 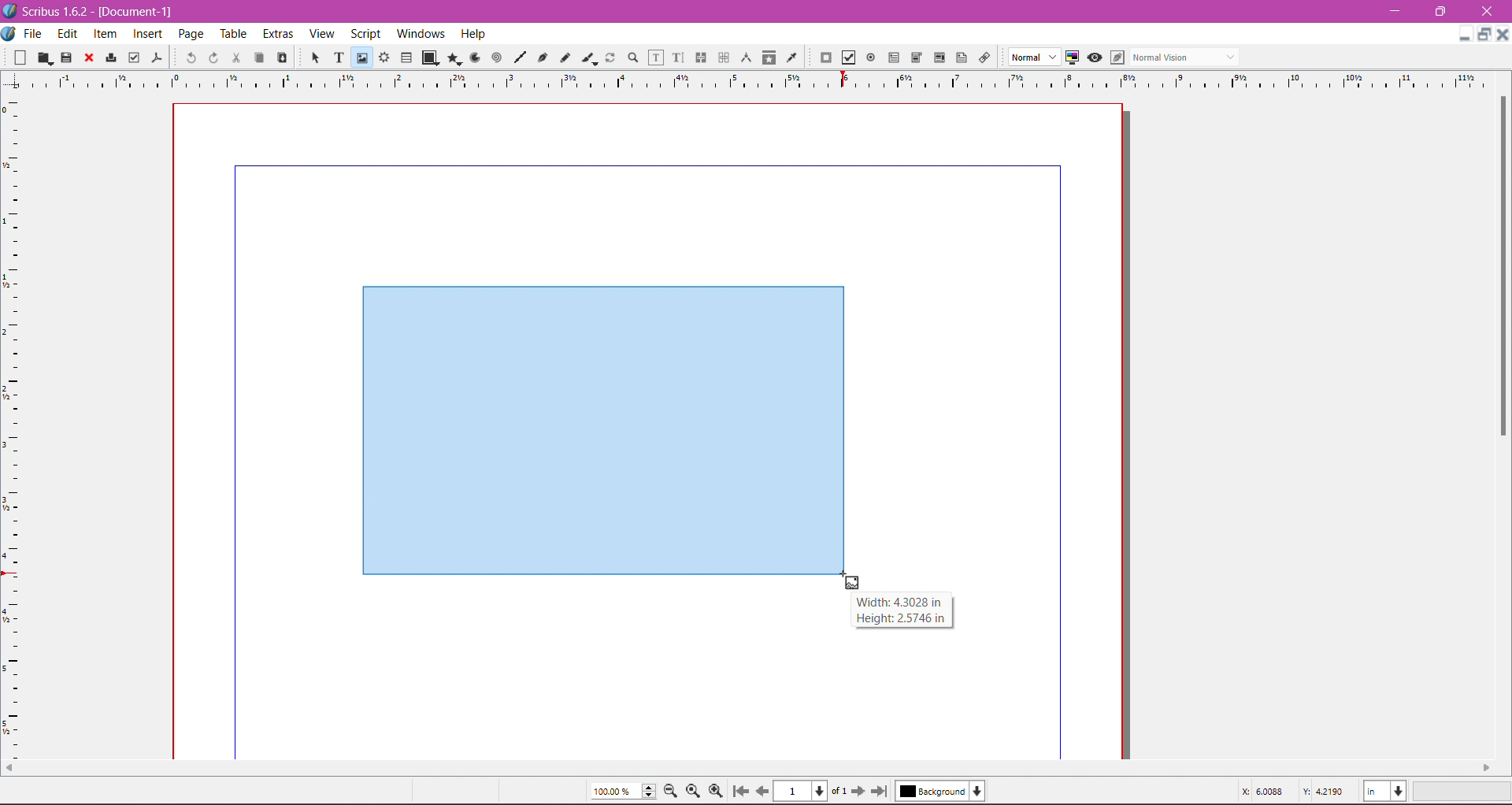 What do you see at coordinates (365, 33) in the screenshot?
I see `Script` at bounding box center [365, 33].